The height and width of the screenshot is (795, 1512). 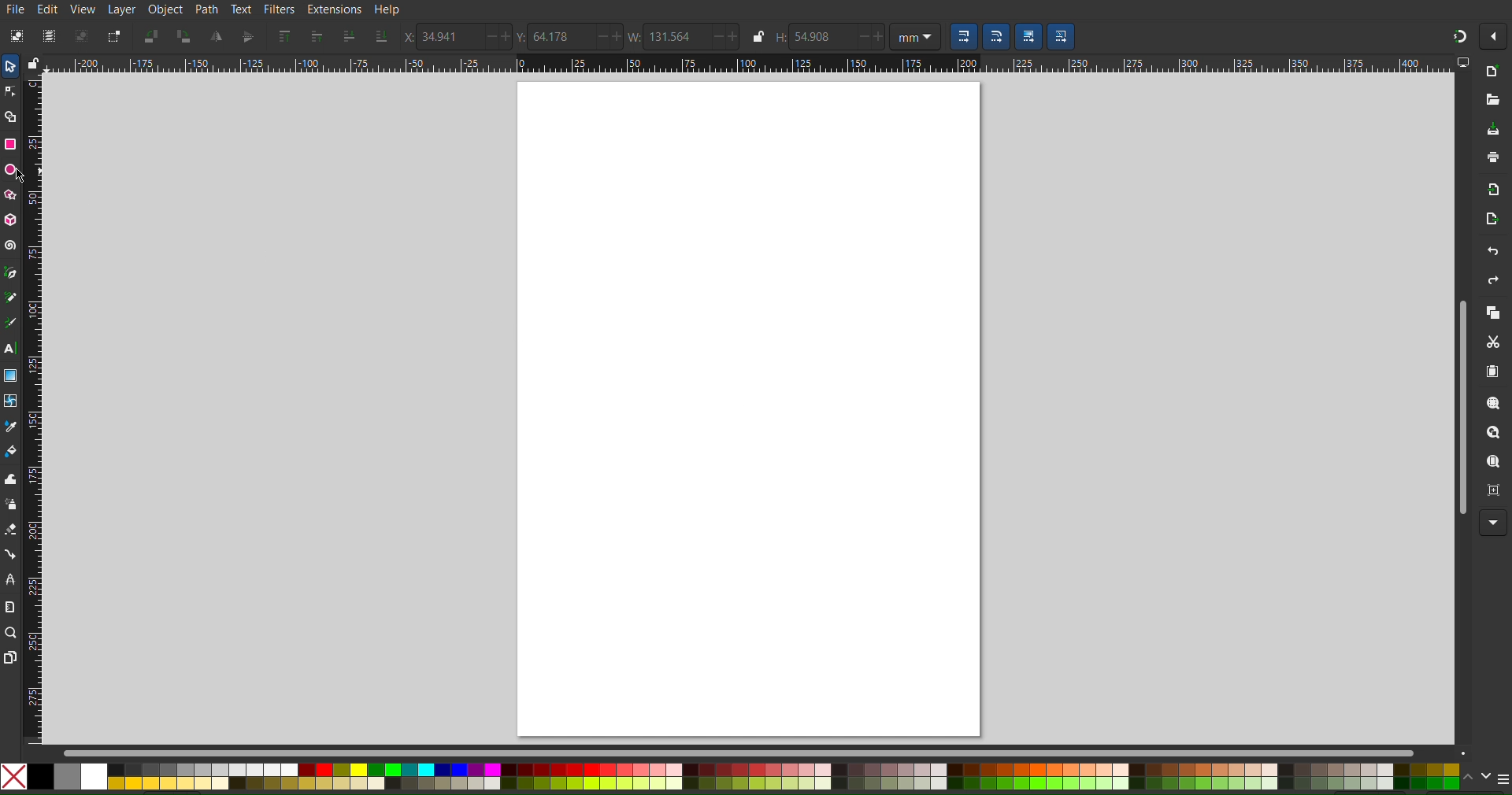 What do you see at coordinates (758, 39) in the screenshot?
I see `lock` at bounding box center [758, 39].